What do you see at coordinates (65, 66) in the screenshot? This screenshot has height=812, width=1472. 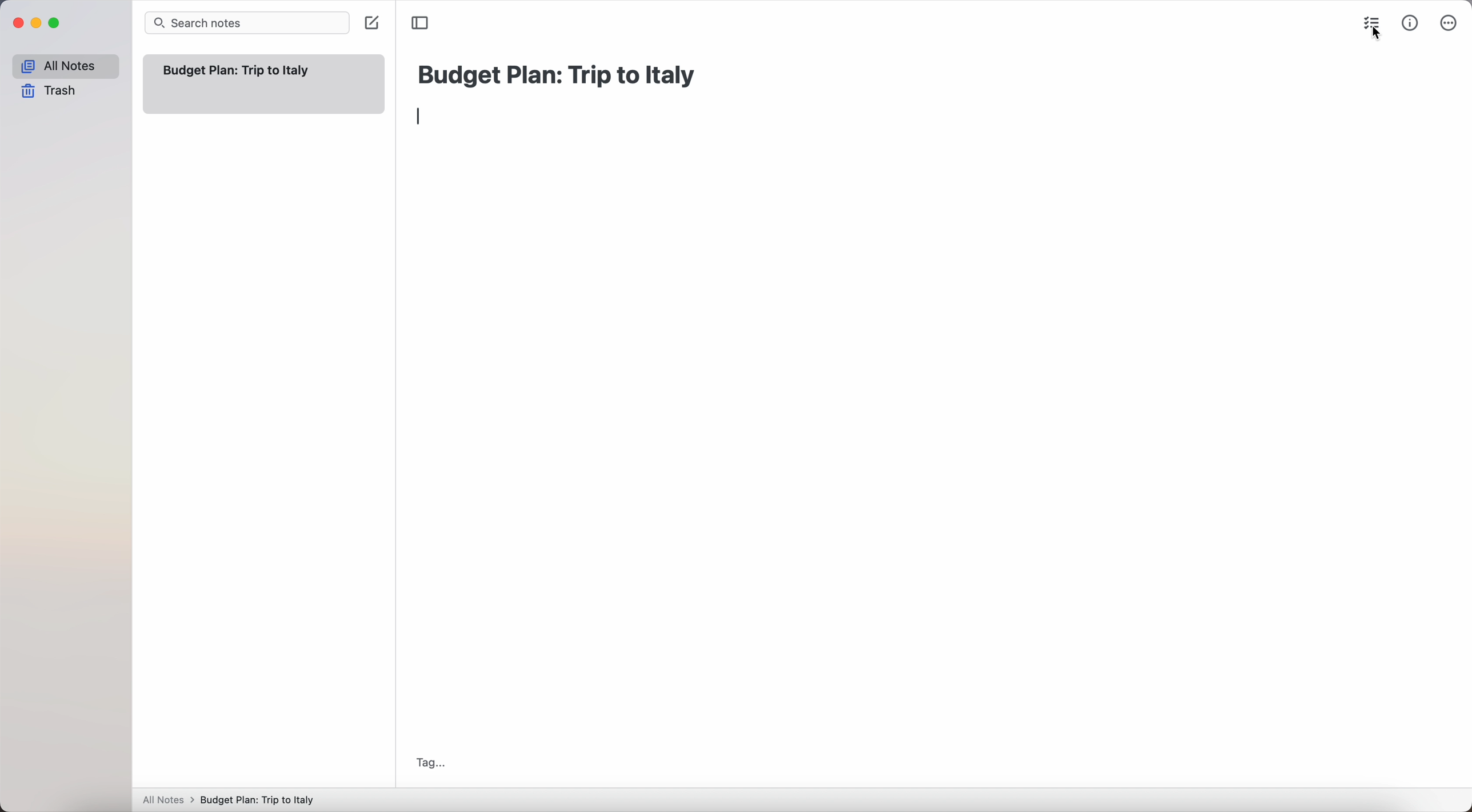 I see `all notes` at bounding box center [65, 66].